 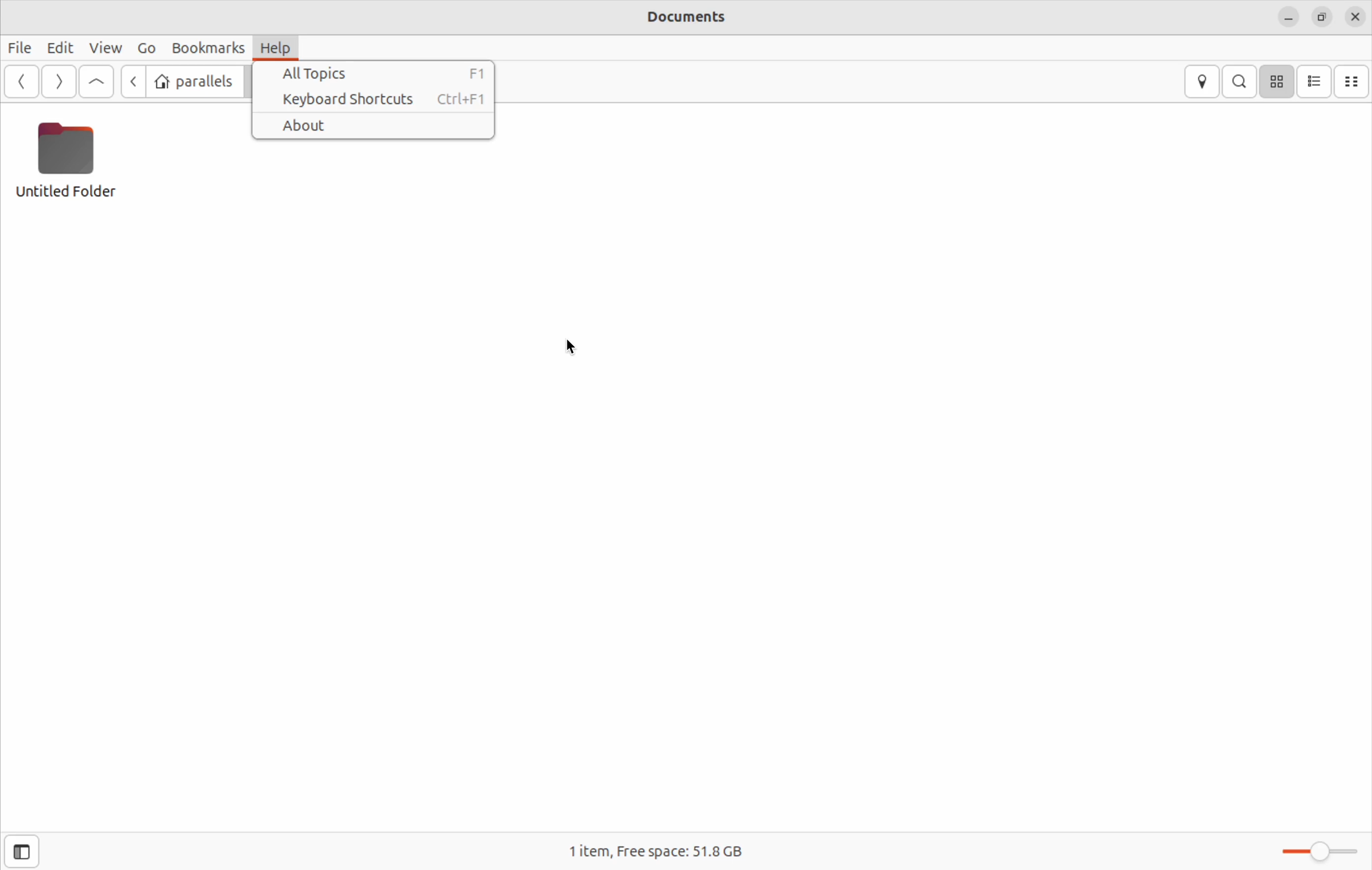 I want to click on back ward, so click(x=132, y=84).